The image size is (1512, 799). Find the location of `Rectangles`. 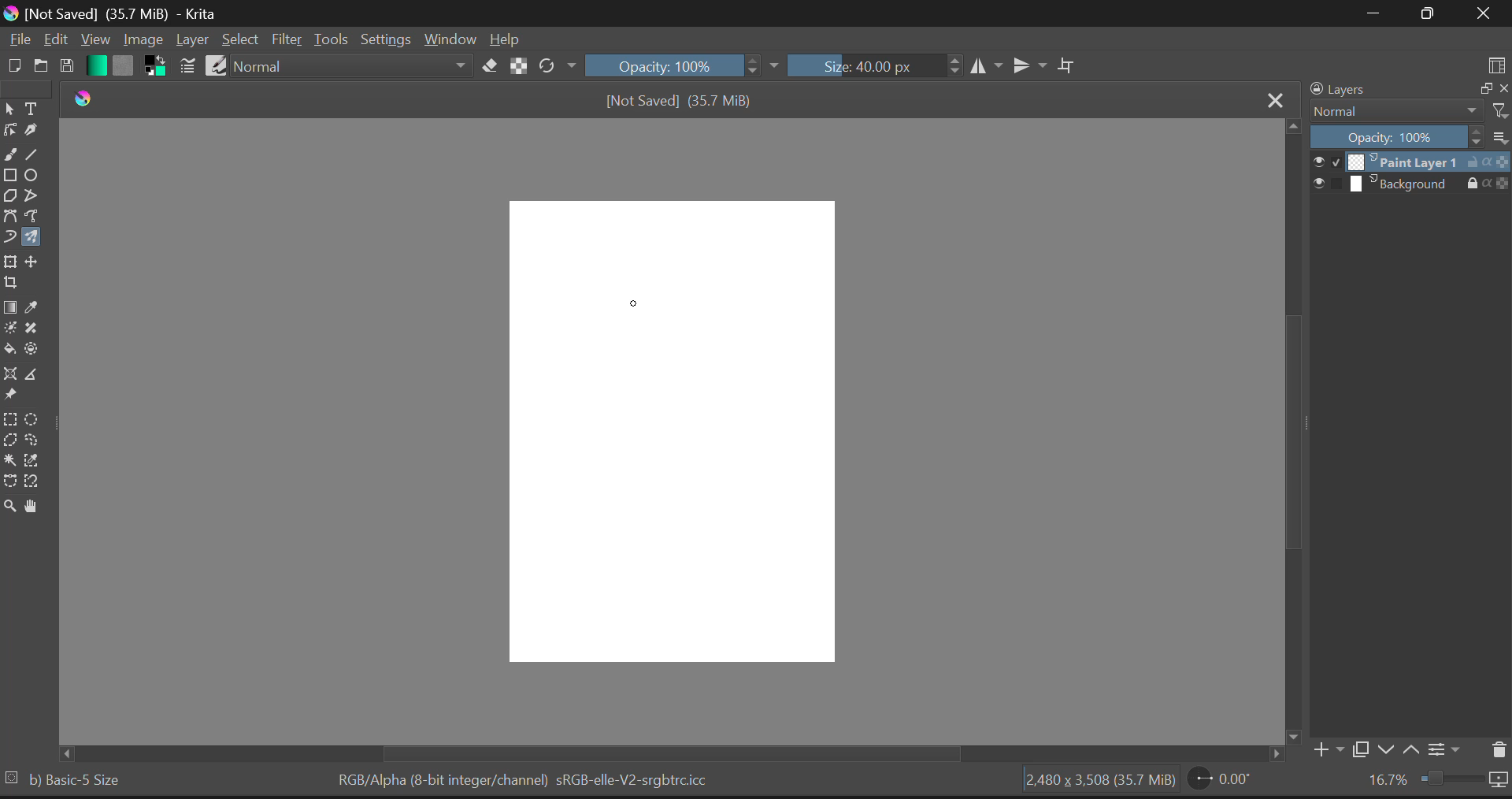

Rectangles is located at coordinates (10, 175).